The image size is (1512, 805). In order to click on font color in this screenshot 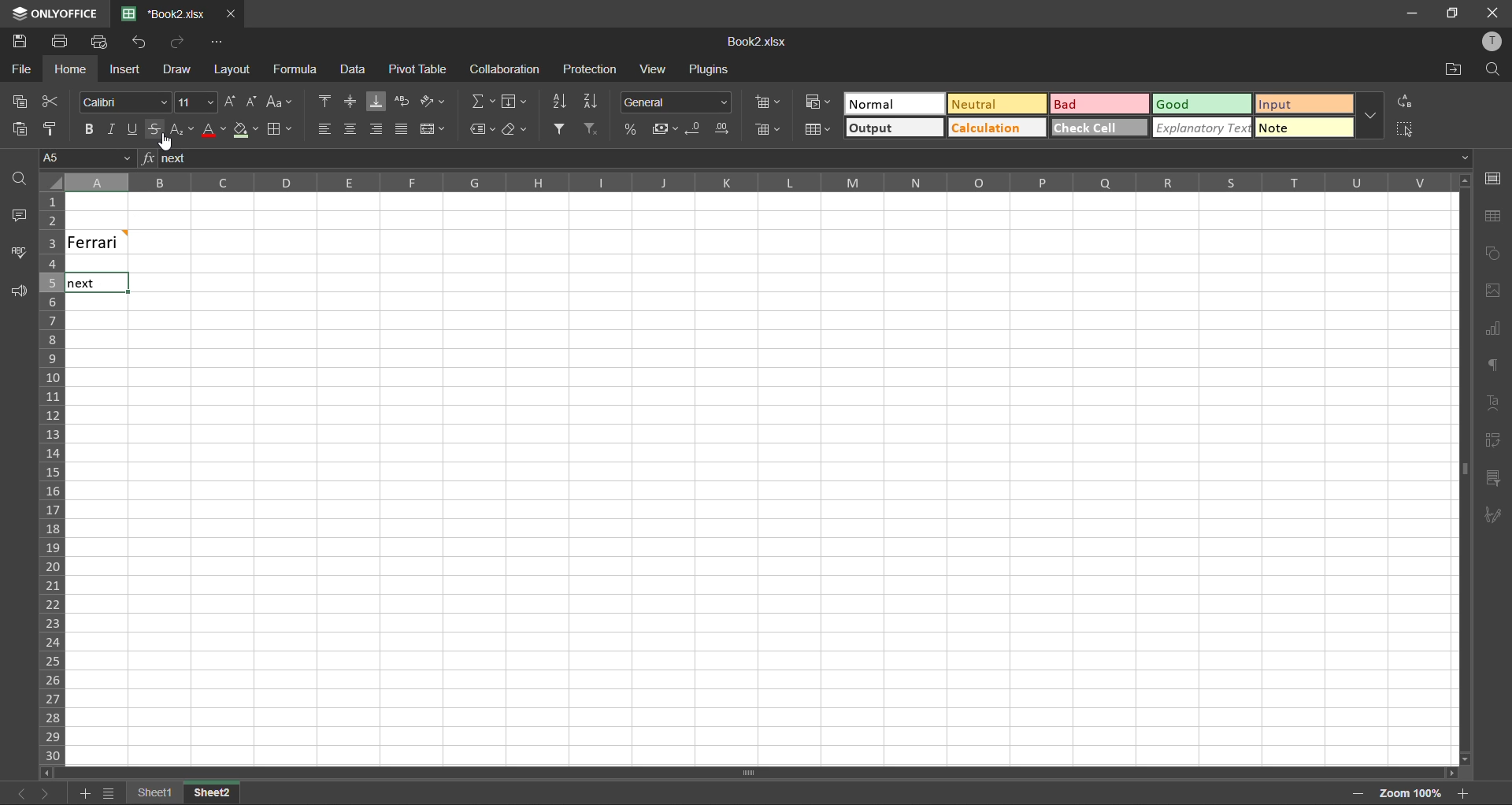, I will do `click(212, 131)`.